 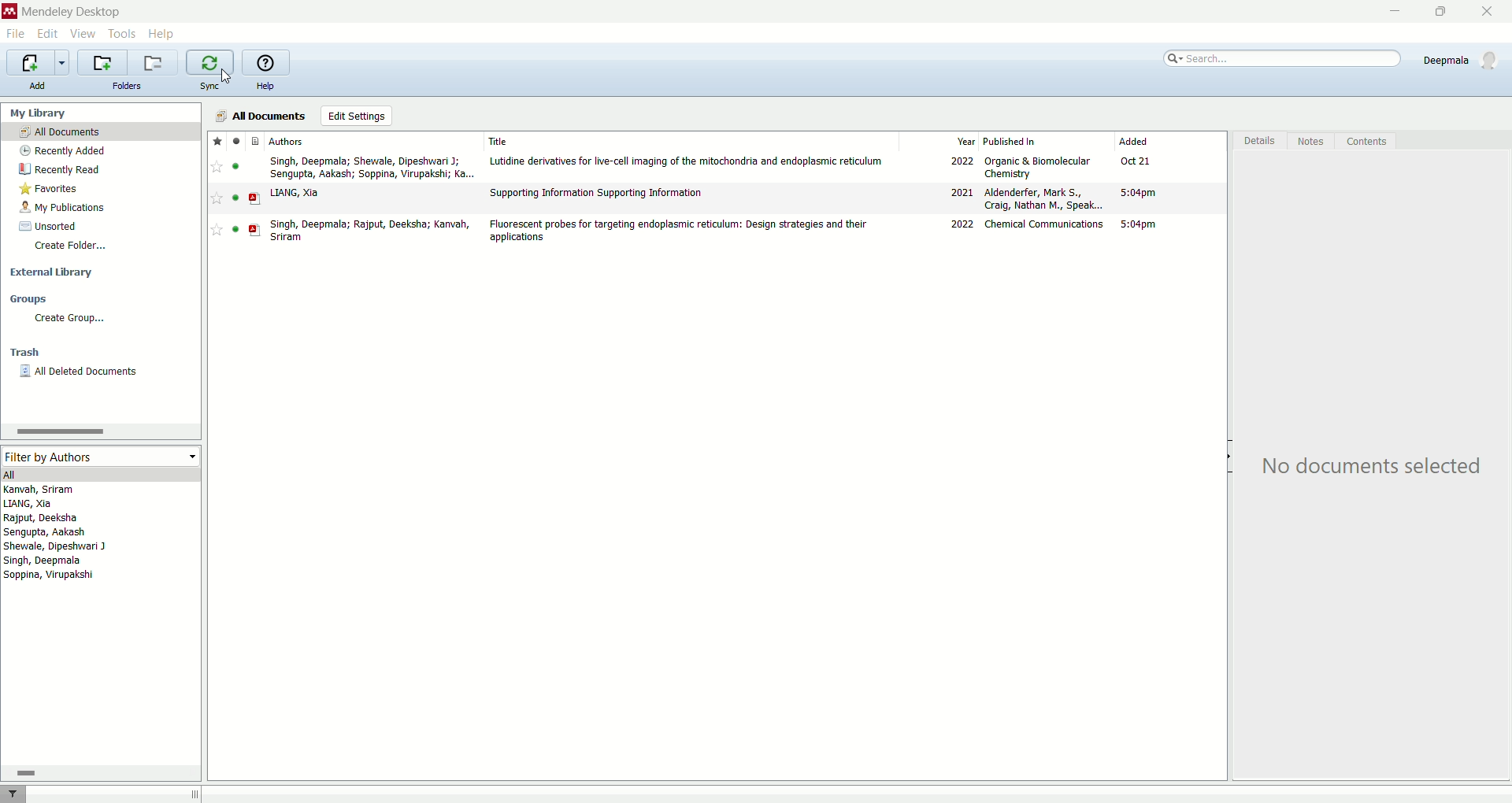 What do you see at coordinates (13, 794) in the screenshot?
I see `filter` at bounding box center [13, 794].